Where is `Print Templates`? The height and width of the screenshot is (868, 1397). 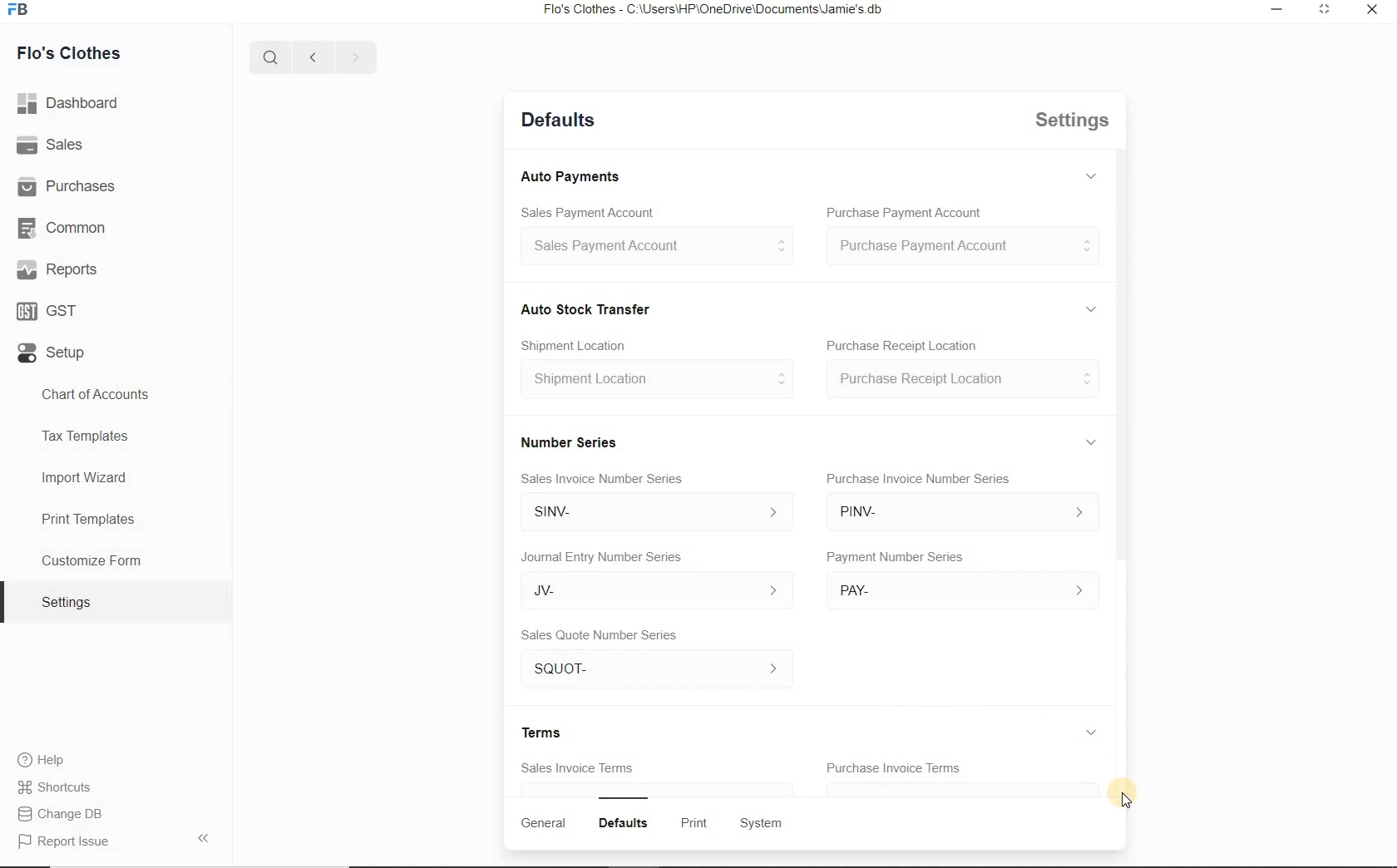
Print Templates is located at coordinates (116, 518).